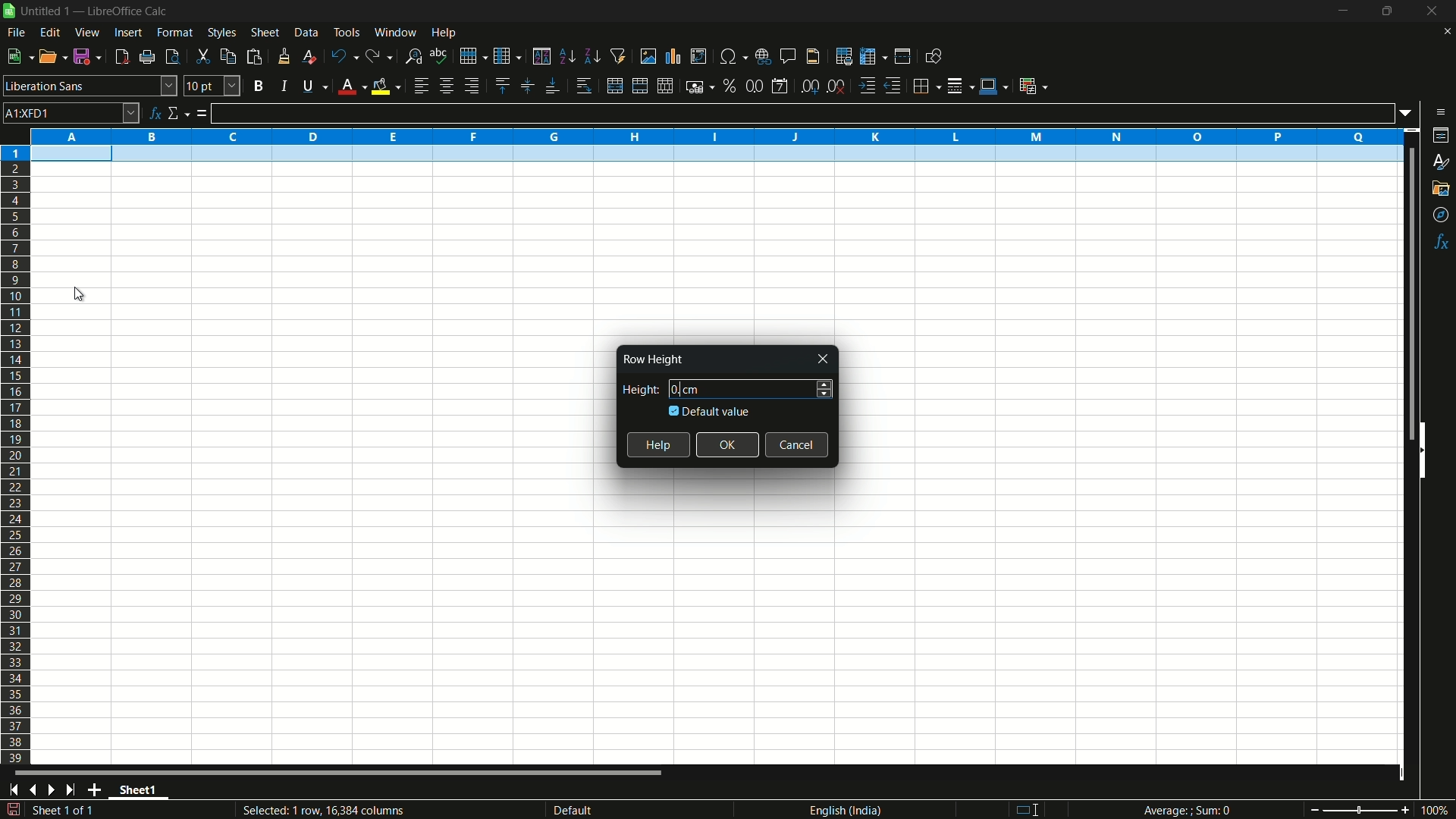 The image size is (1456, 819). What do you see at coordinates (844, 56) in the screenshot?
I see `print area` at bounding box center [844, 56].